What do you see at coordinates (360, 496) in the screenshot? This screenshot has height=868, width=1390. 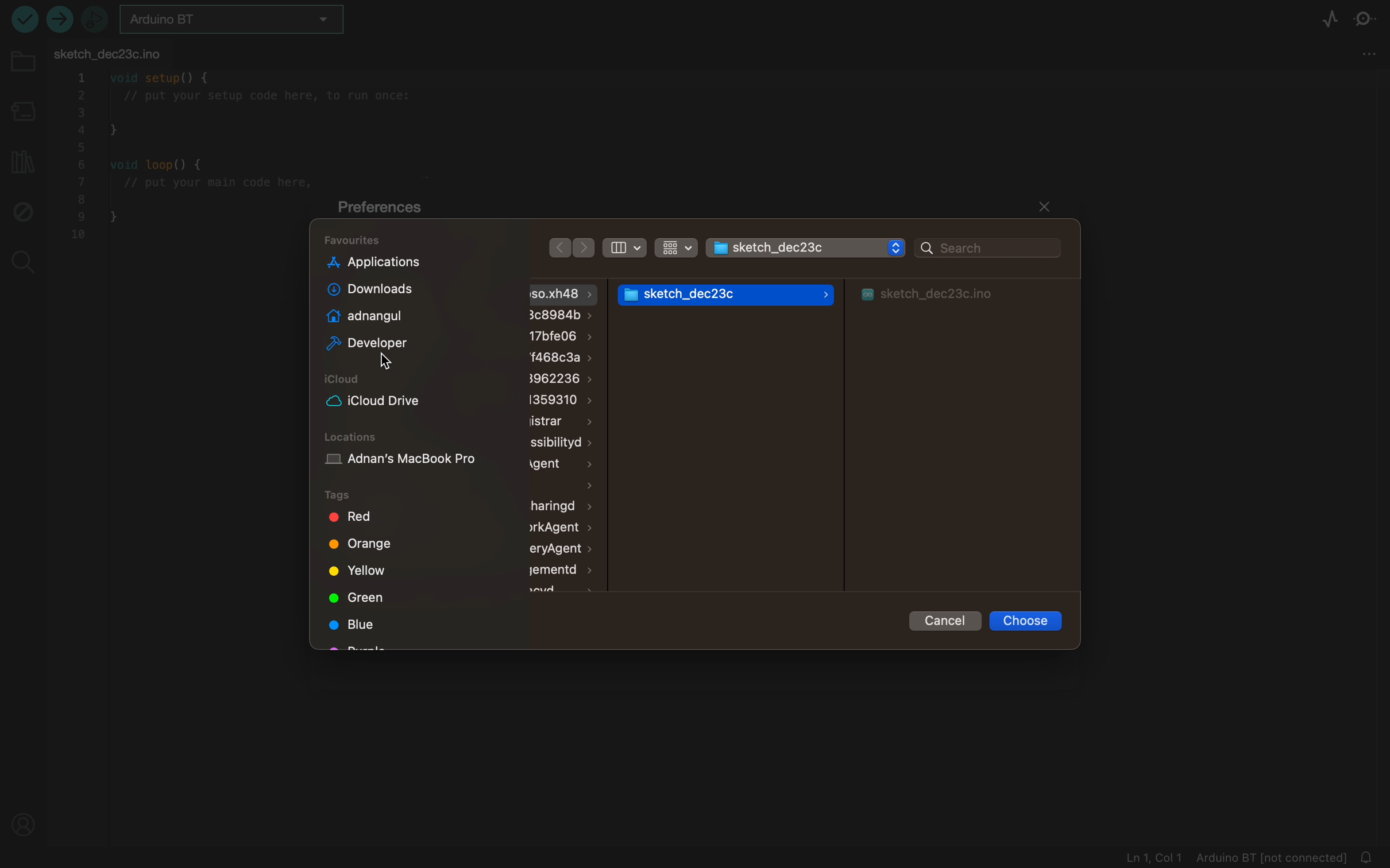 I see `tags` at bounding box center [360, 496].